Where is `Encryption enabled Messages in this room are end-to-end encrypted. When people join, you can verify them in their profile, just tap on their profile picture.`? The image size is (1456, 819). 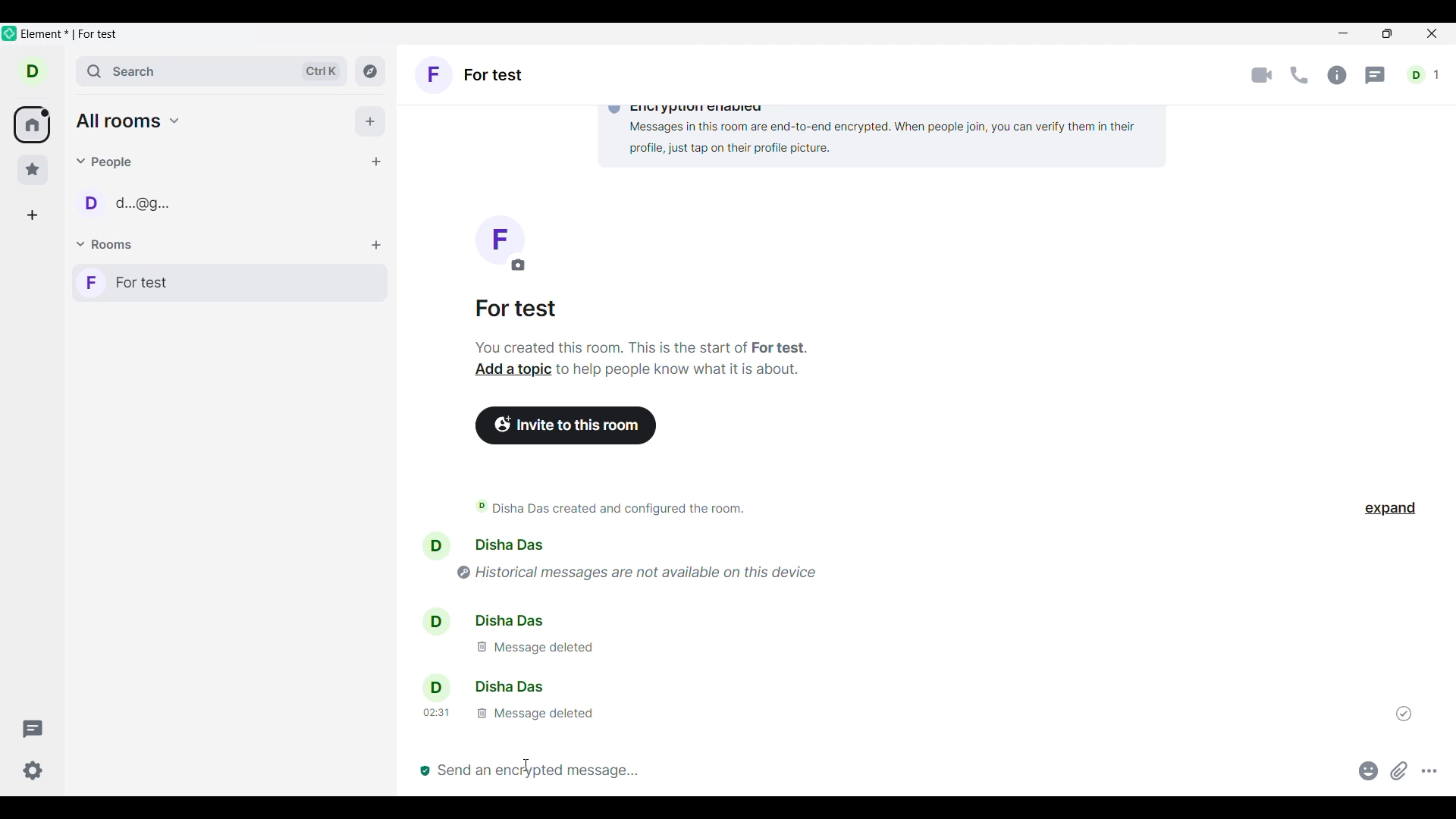
Encryption enabled Messages in this room are end-to-end encrypted. When people join, you can verify them in their profile, just tap on their profile picture. is located at coordinates (876, 131).